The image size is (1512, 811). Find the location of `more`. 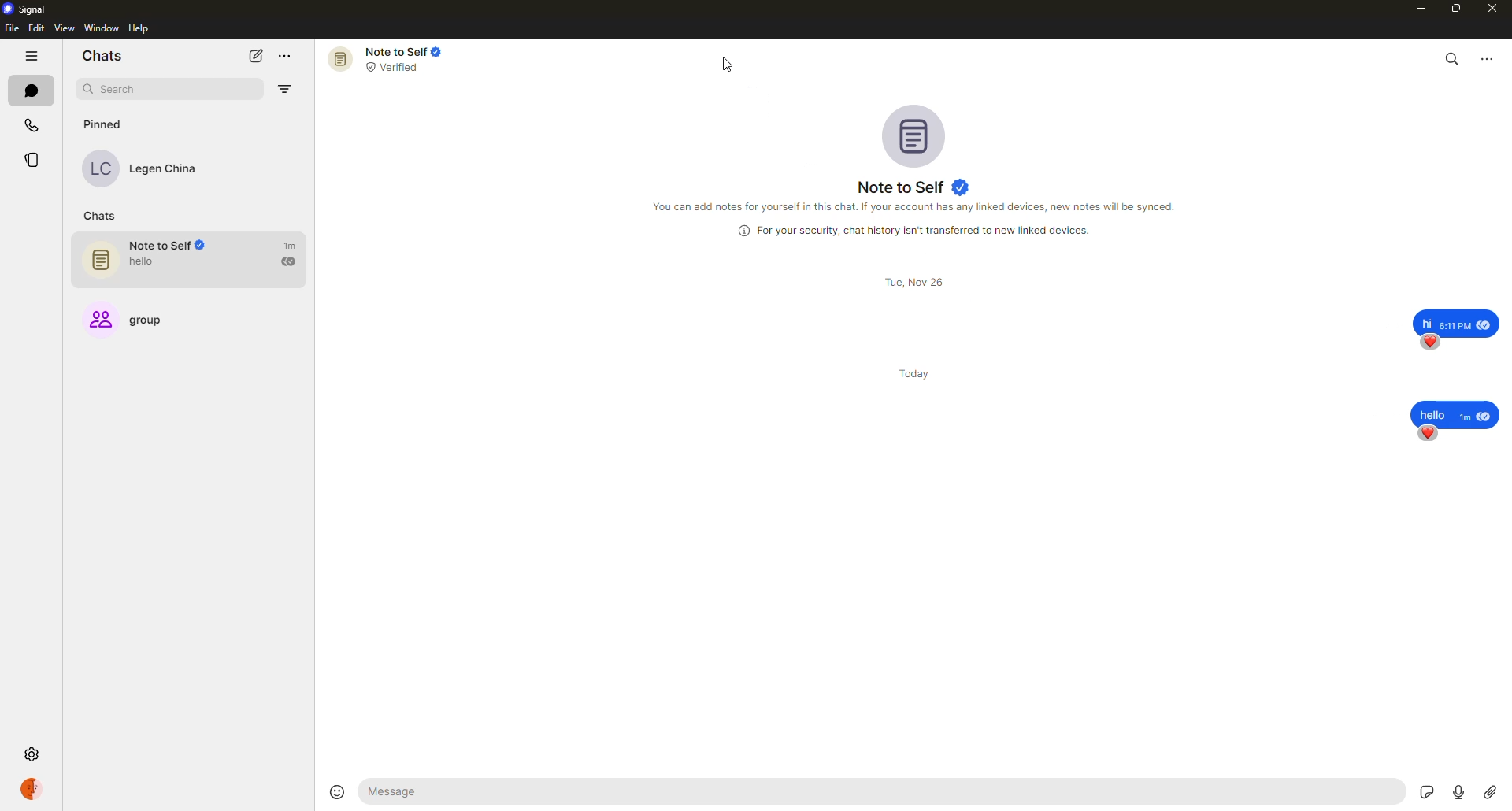

more is located at coordinates (288, 57).